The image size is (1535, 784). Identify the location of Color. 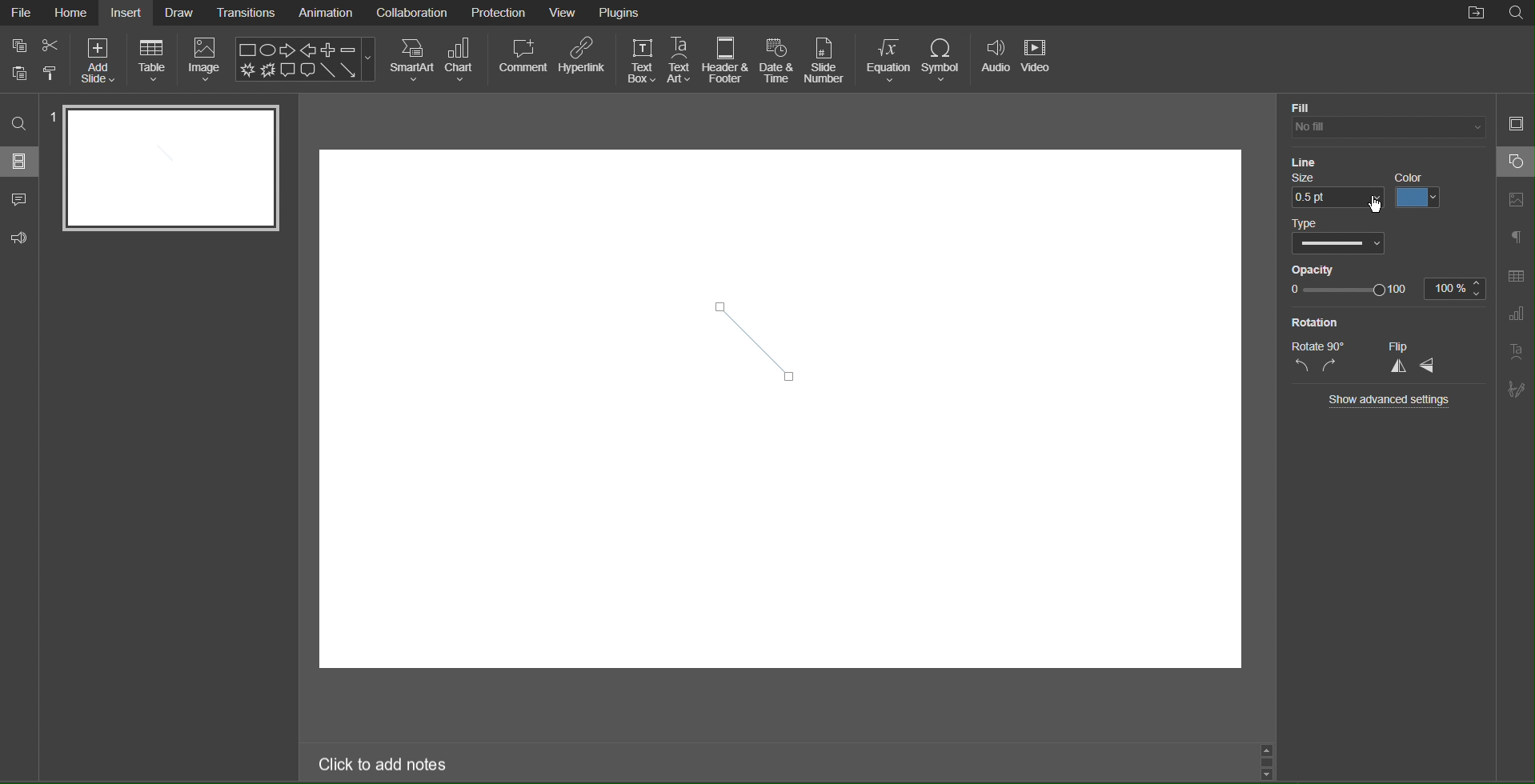
(1421, 190).